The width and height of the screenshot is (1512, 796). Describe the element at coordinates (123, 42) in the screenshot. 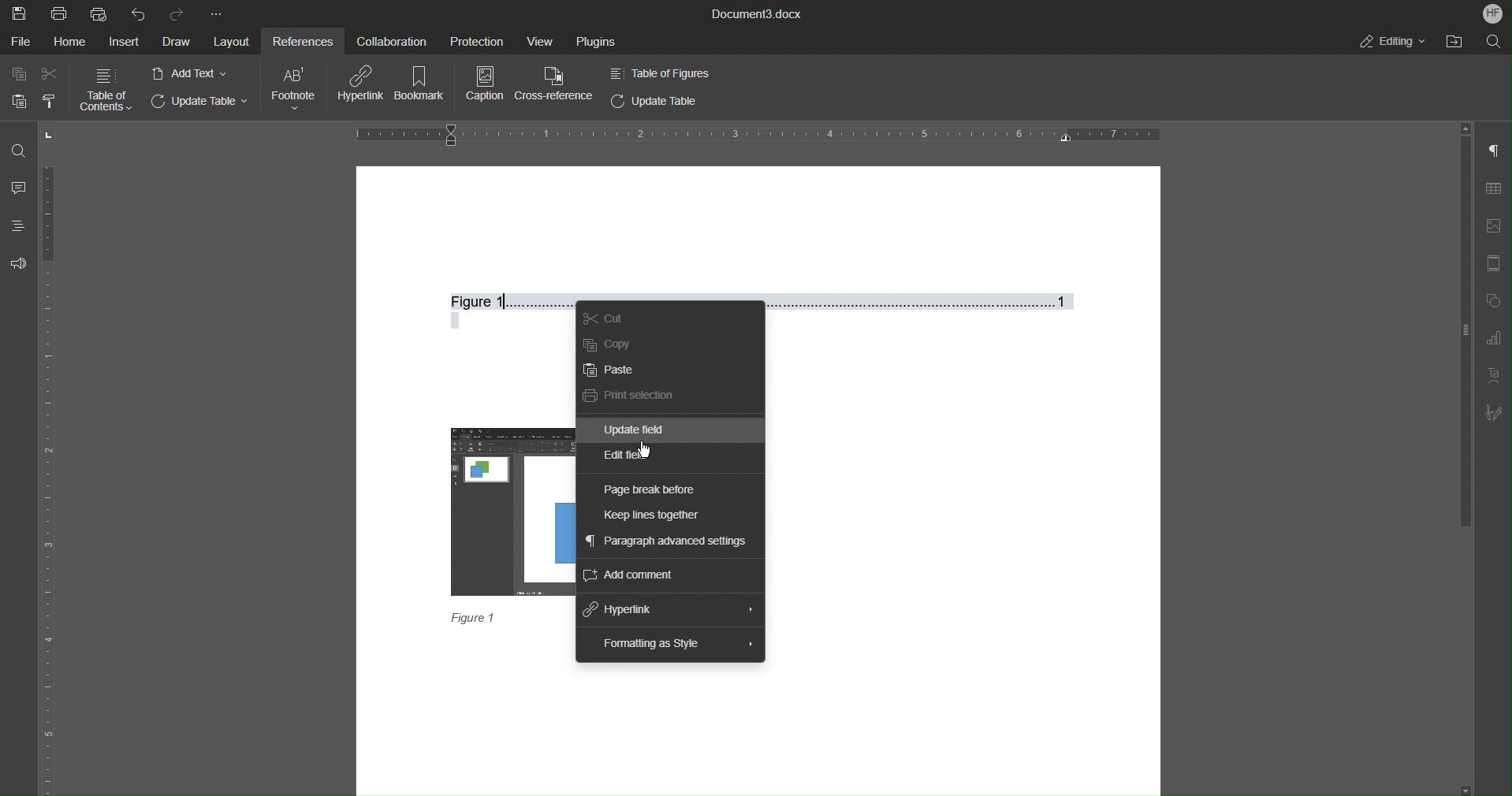

I see `Insert` at that location.